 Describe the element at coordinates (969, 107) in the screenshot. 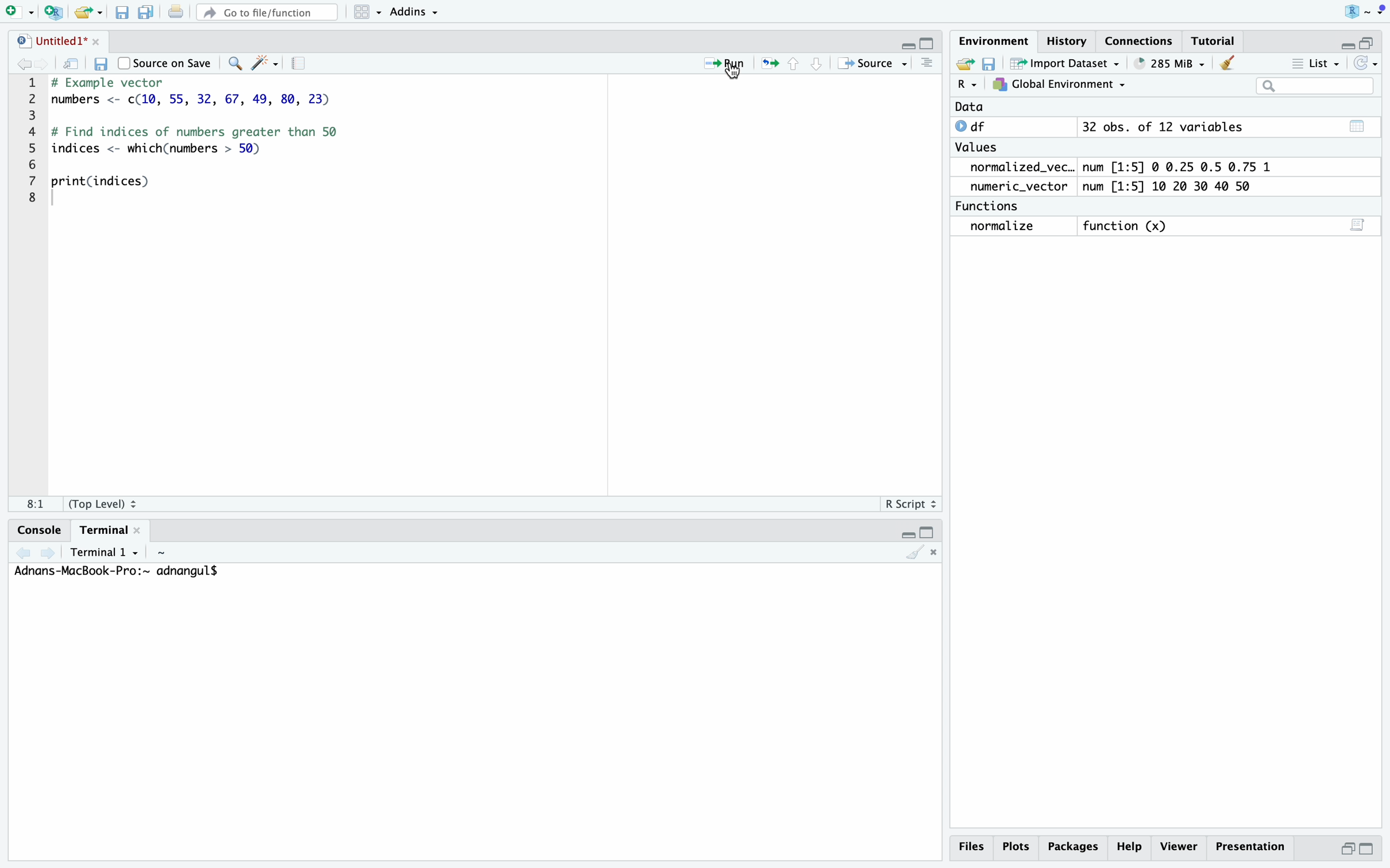

I see `Data` at that location.